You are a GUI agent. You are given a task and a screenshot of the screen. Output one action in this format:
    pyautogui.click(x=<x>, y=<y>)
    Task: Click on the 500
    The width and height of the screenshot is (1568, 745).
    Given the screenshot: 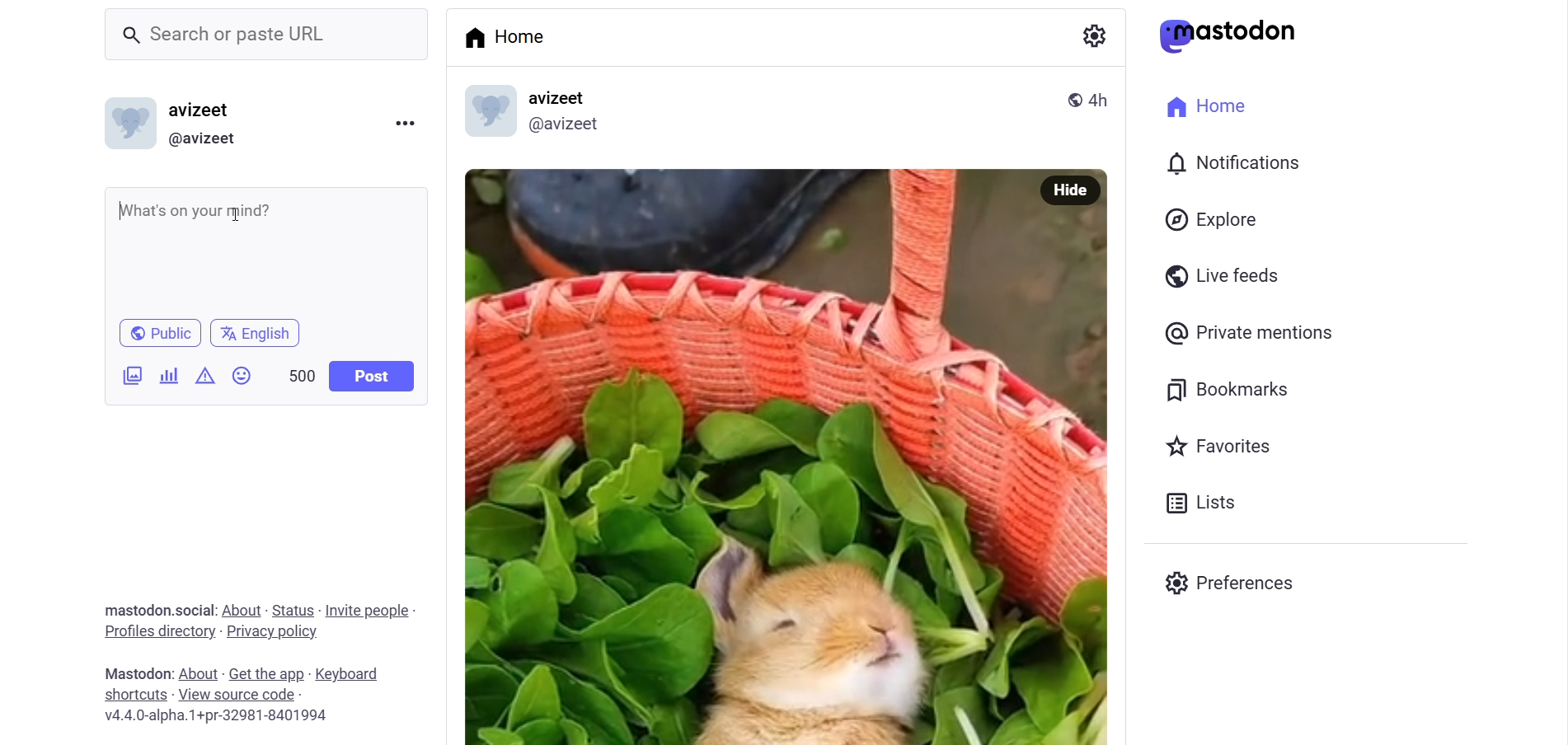 What is the action you would take?
    pyautogui.click(x=294, y=375)
    